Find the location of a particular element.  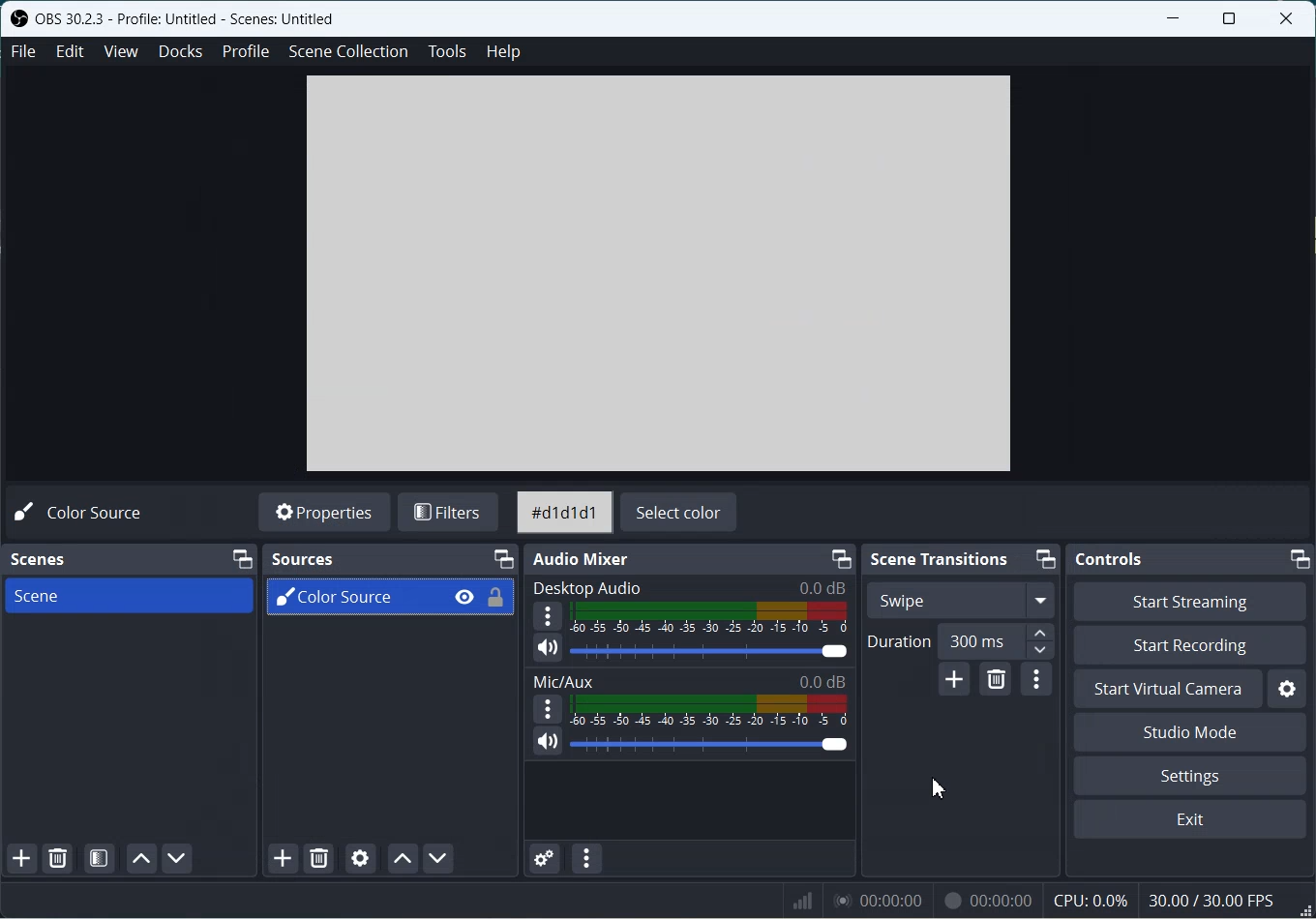

300 ms is located at coordinates (998, 642).